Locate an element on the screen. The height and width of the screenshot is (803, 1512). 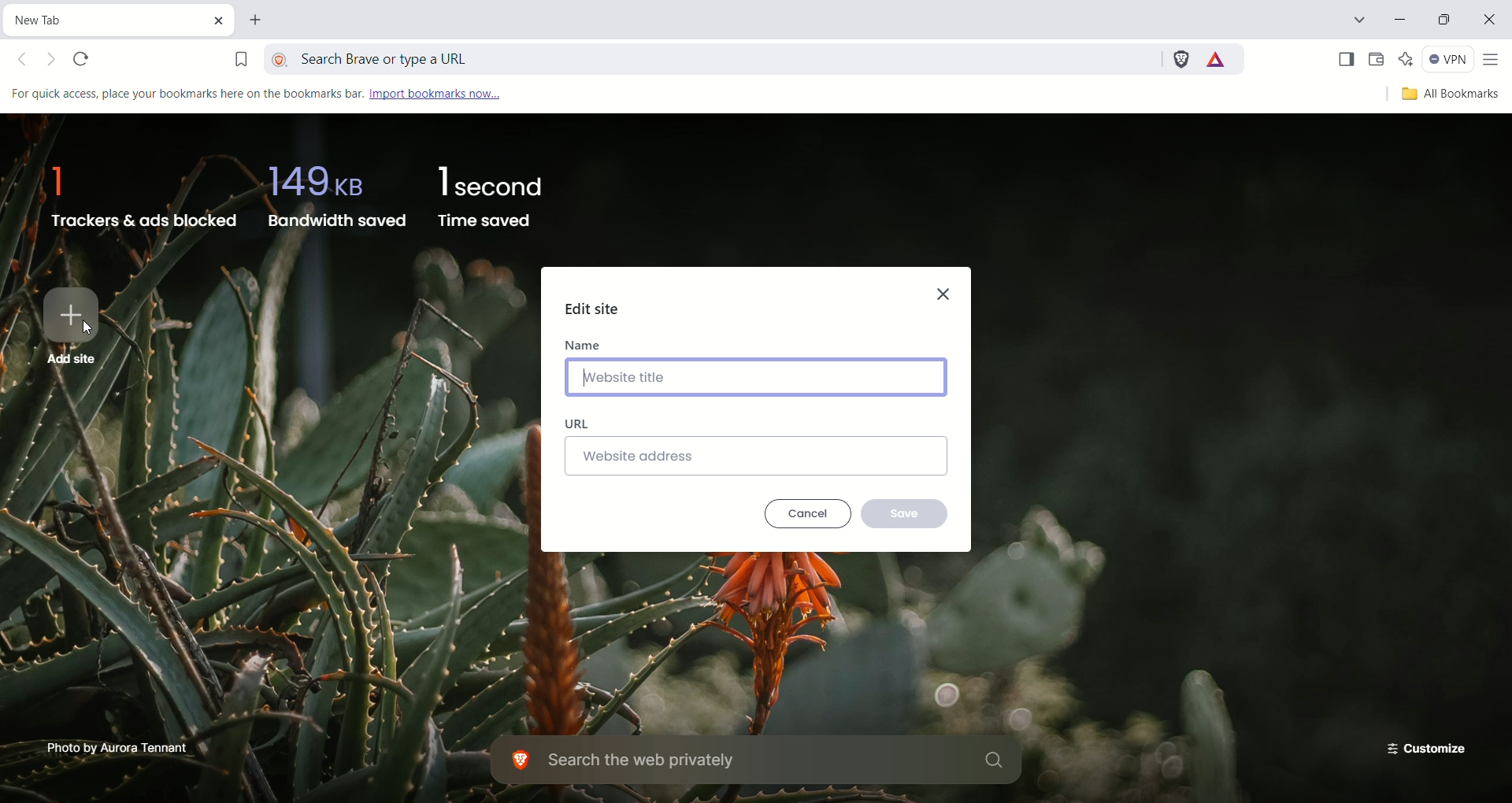
customize is located at coordinates (1421, 746).